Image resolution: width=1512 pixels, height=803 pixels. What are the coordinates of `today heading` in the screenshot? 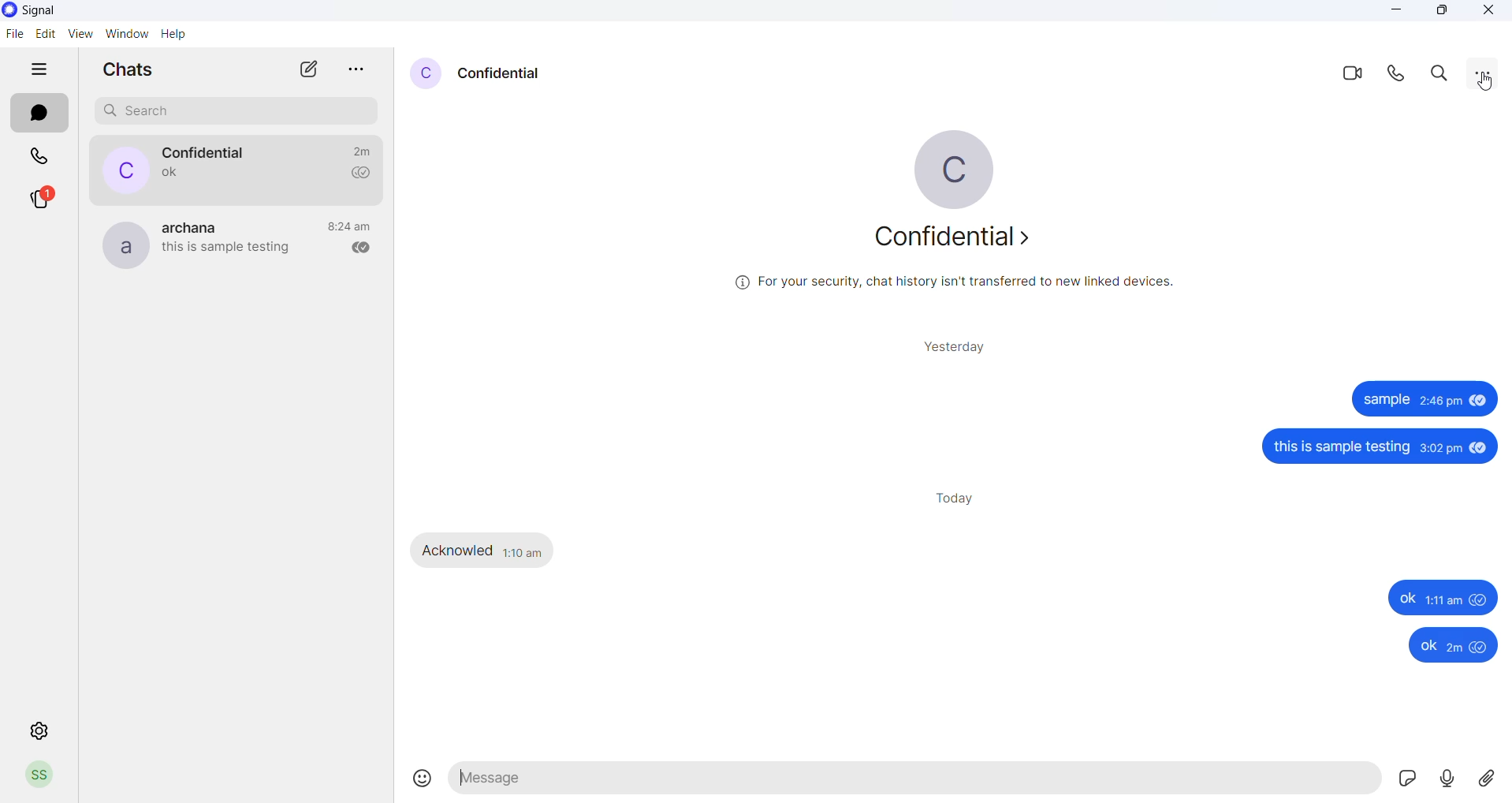 It's located at (956, 499).